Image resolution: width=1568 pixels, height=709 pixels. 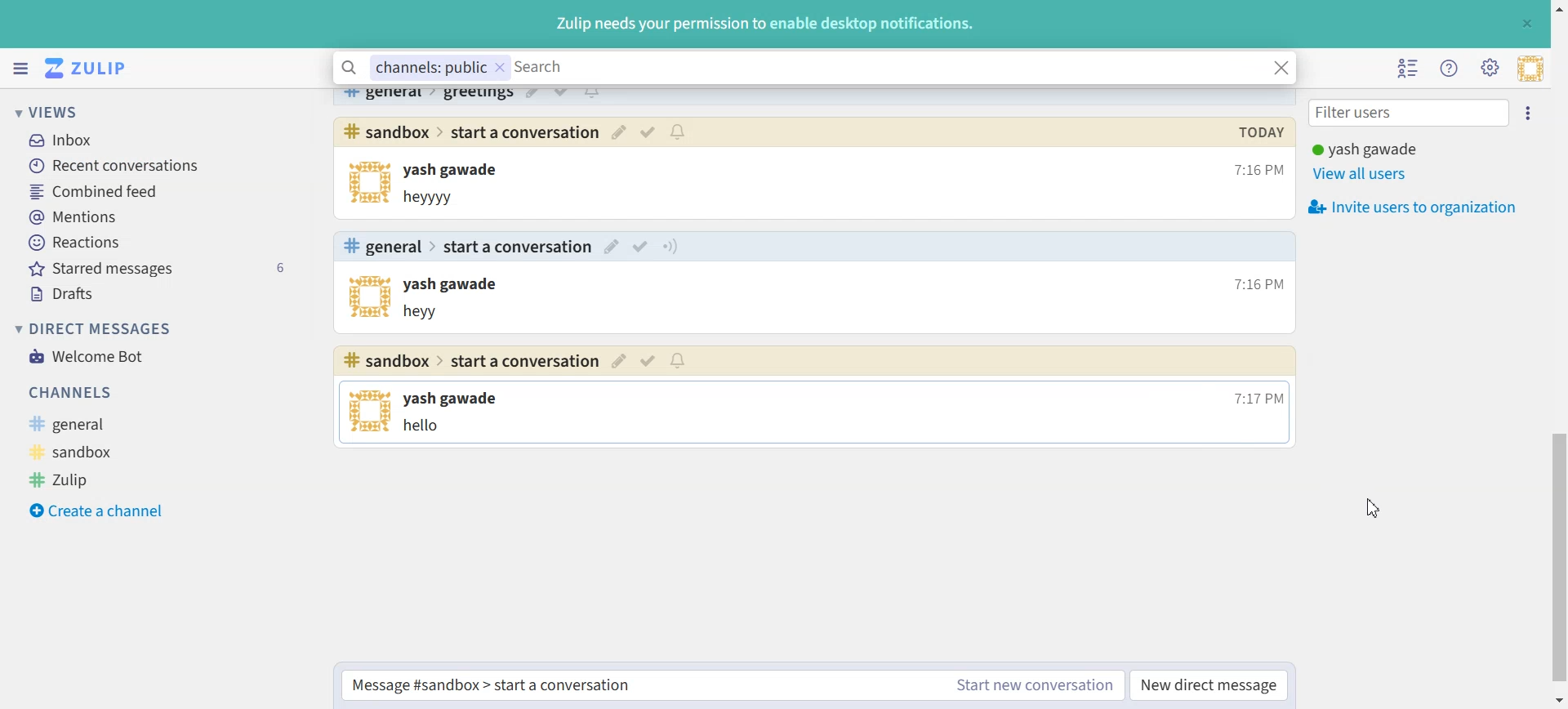 I want to click on profile picture, so click(x=366, y=183).